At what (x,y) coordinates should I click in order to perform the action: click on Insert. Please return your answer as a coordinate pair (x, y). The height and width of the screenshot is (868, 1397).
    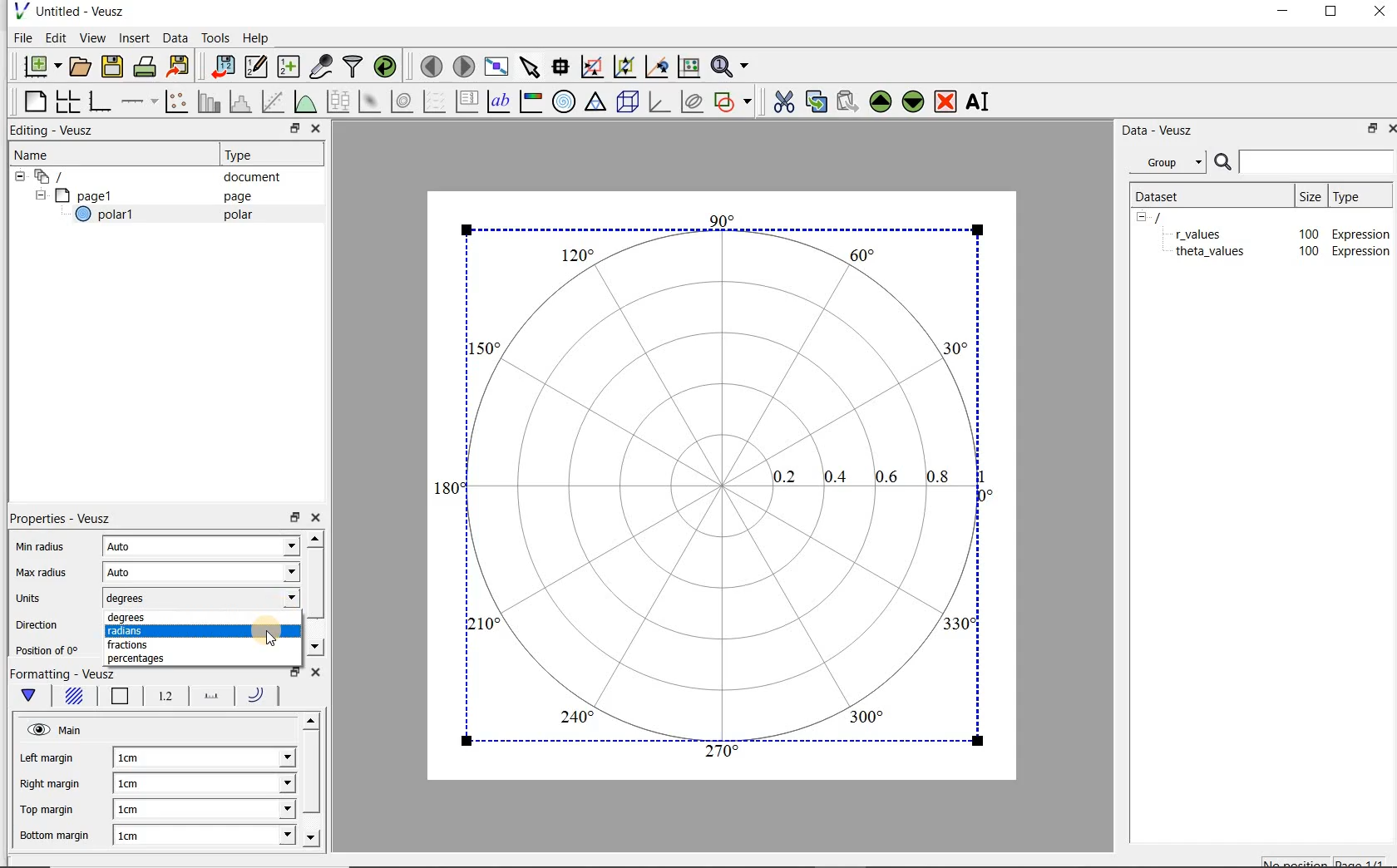
    Looking at the image, I should click on (136, 37).